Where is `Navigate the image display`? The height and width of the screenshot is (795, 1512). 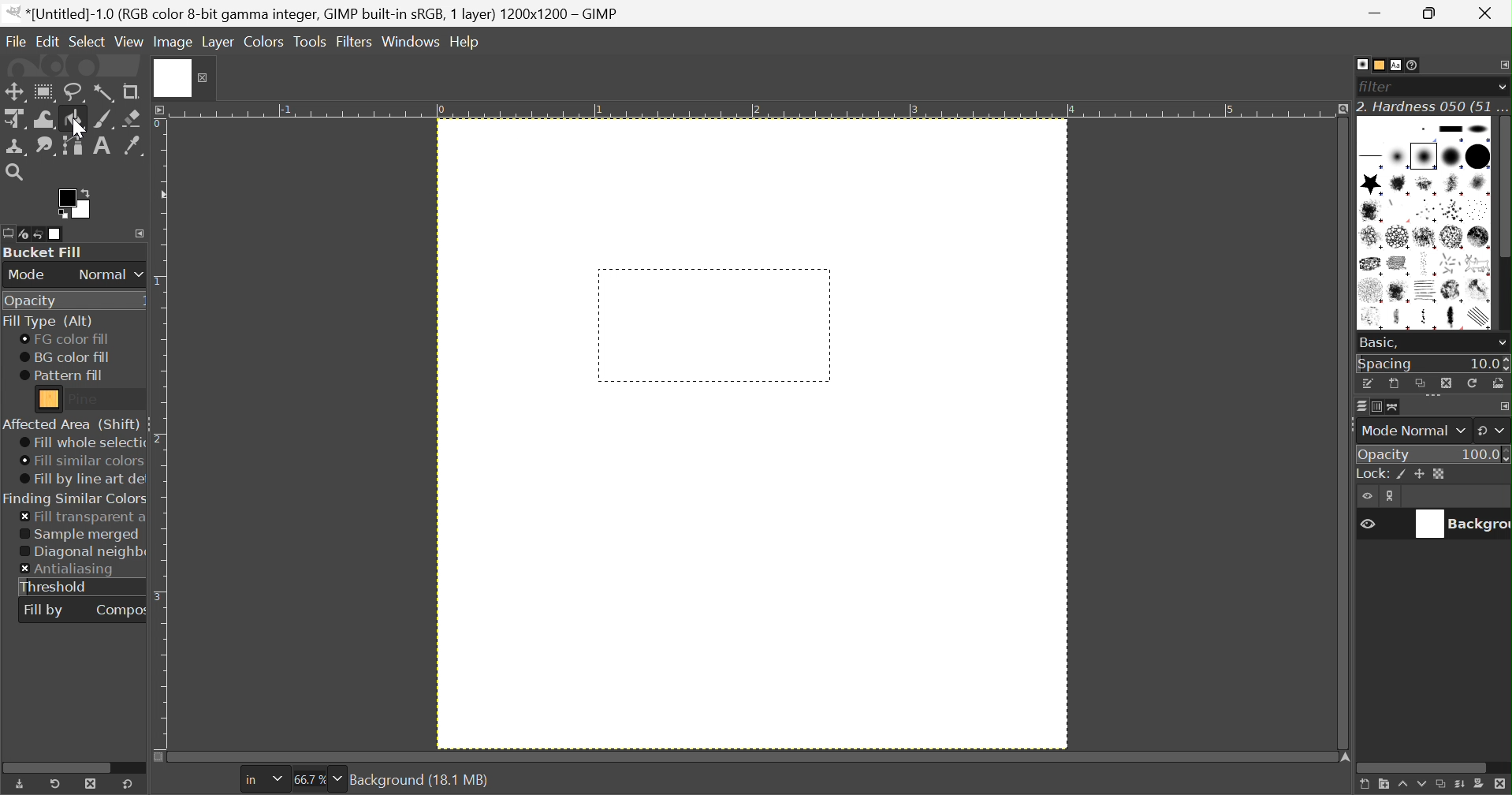
Navigate the image display is located at coordinates (1346, 757).